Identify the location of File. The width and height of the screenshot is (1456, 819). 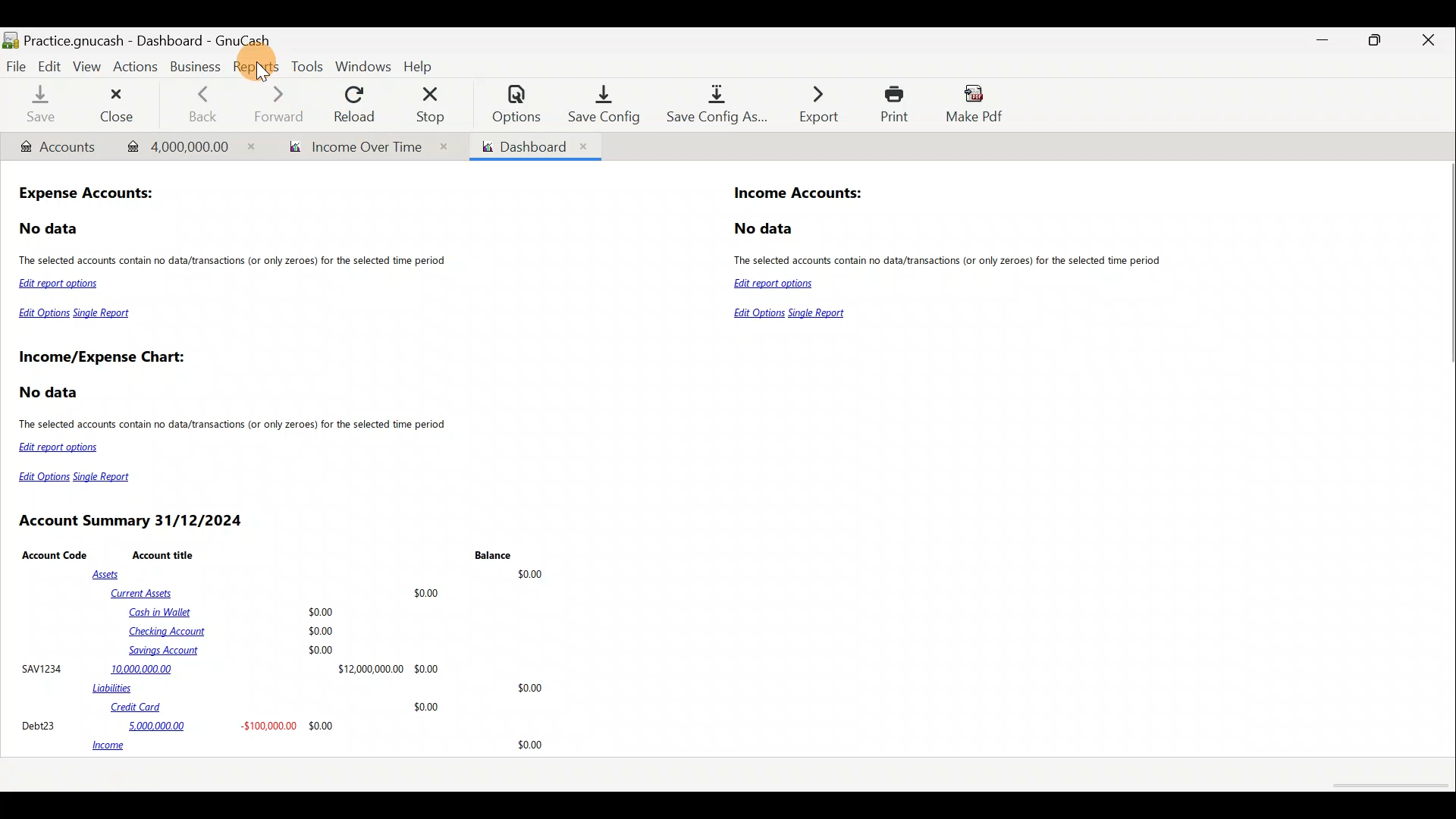
(17, 65).